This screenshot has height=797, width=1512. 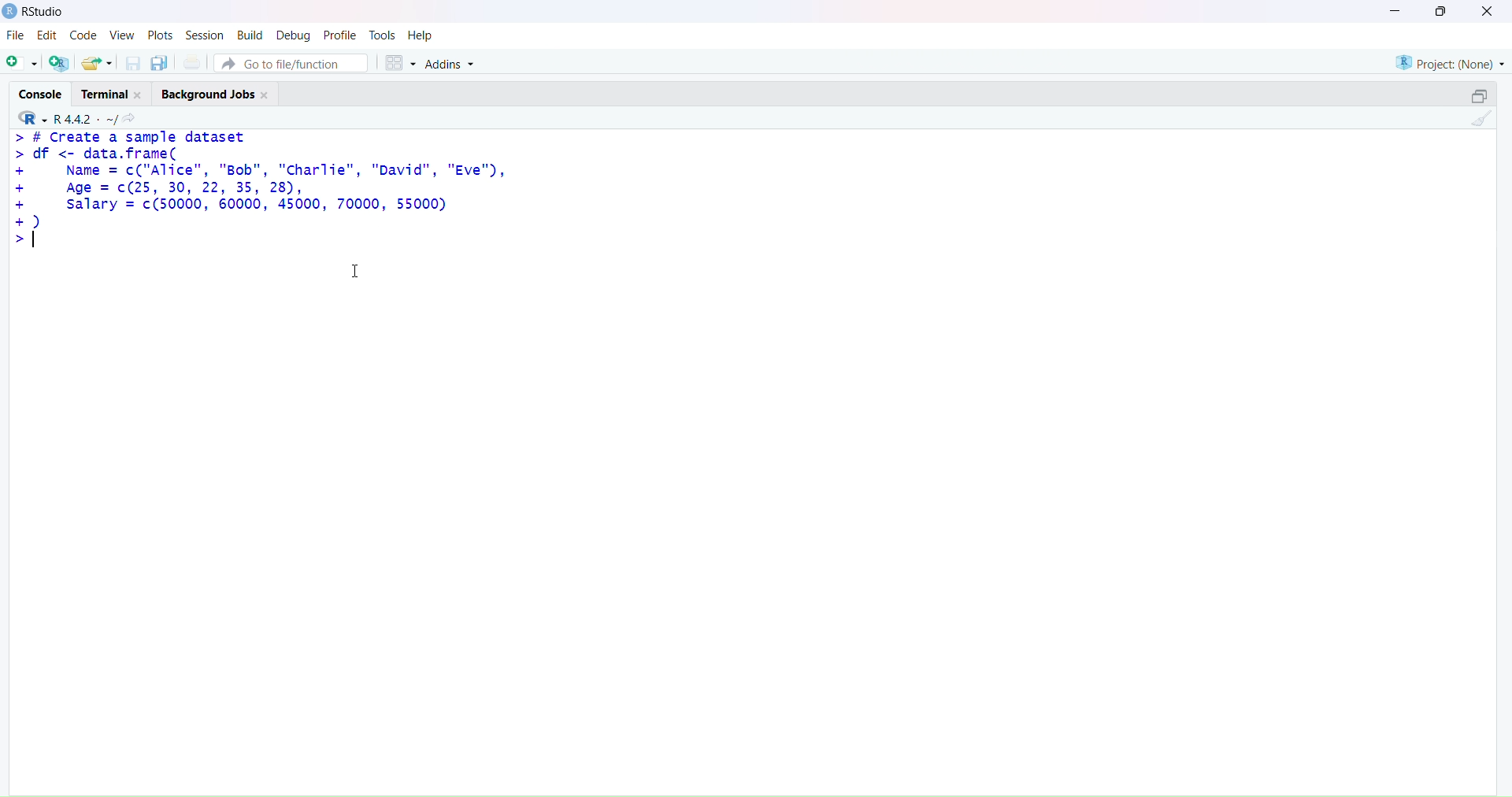 I want to click on collapse, so click(x=1477, y=96).